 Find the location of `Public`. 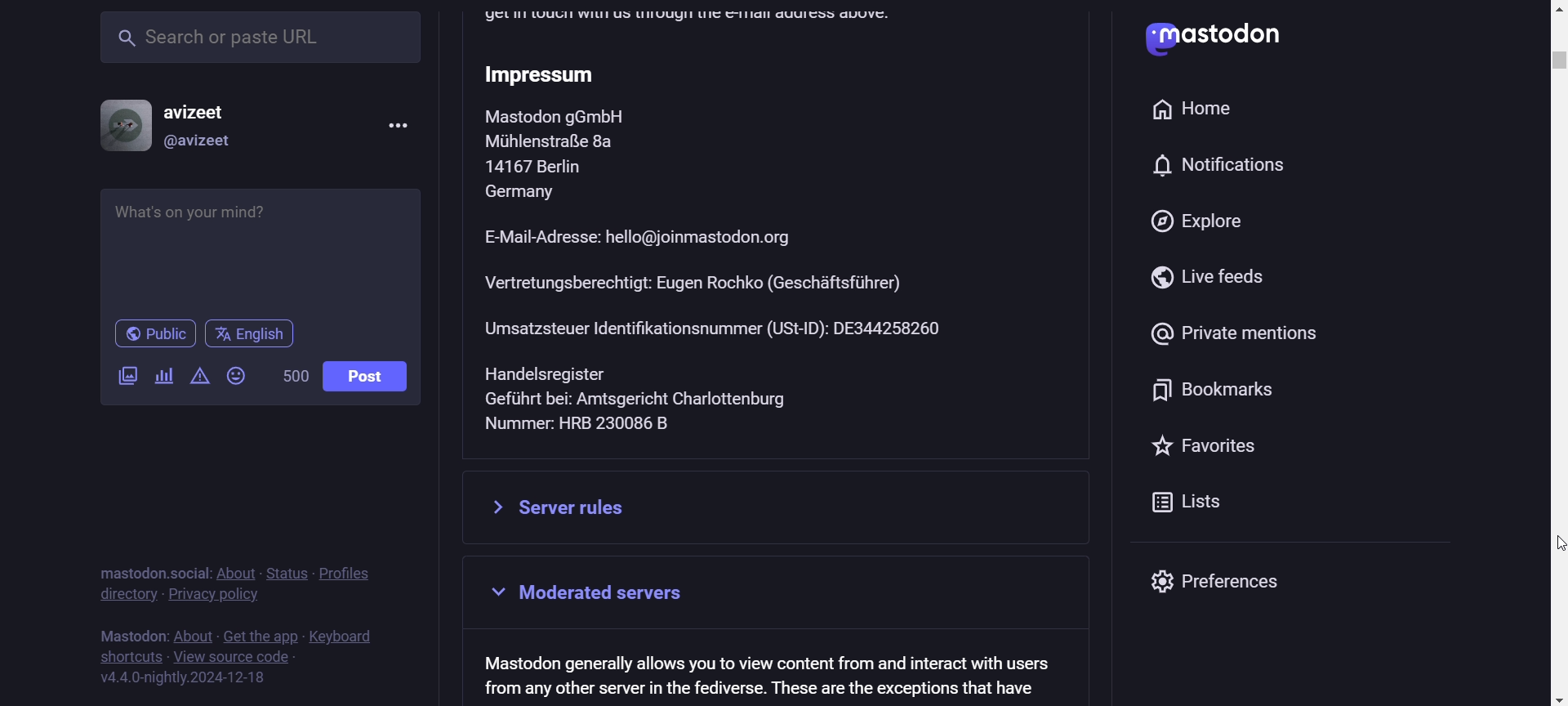

Public is located at coordinates (155, 334).